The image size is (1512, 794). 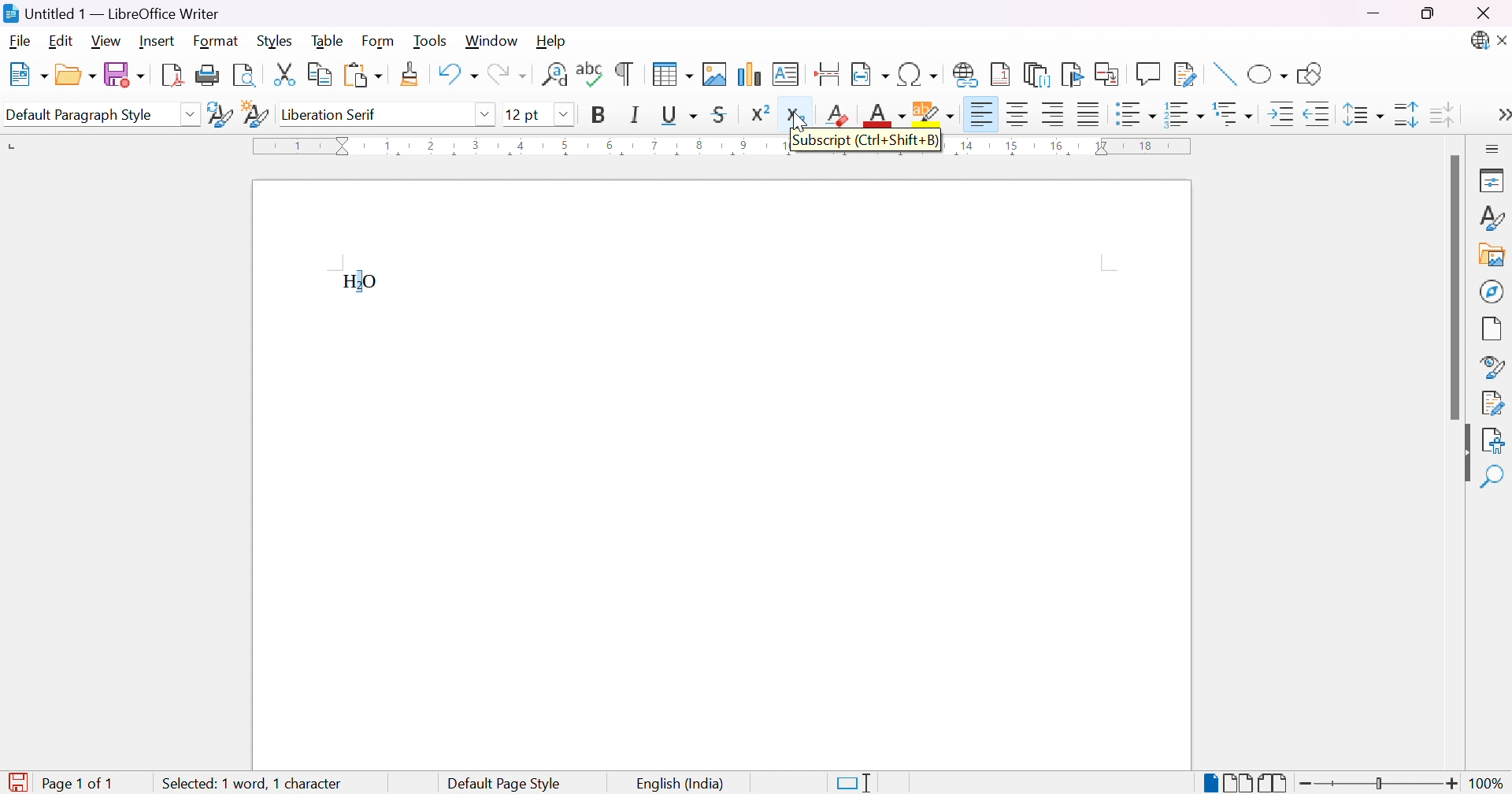 I want to click on Align right, so click(x=1054, y=115).